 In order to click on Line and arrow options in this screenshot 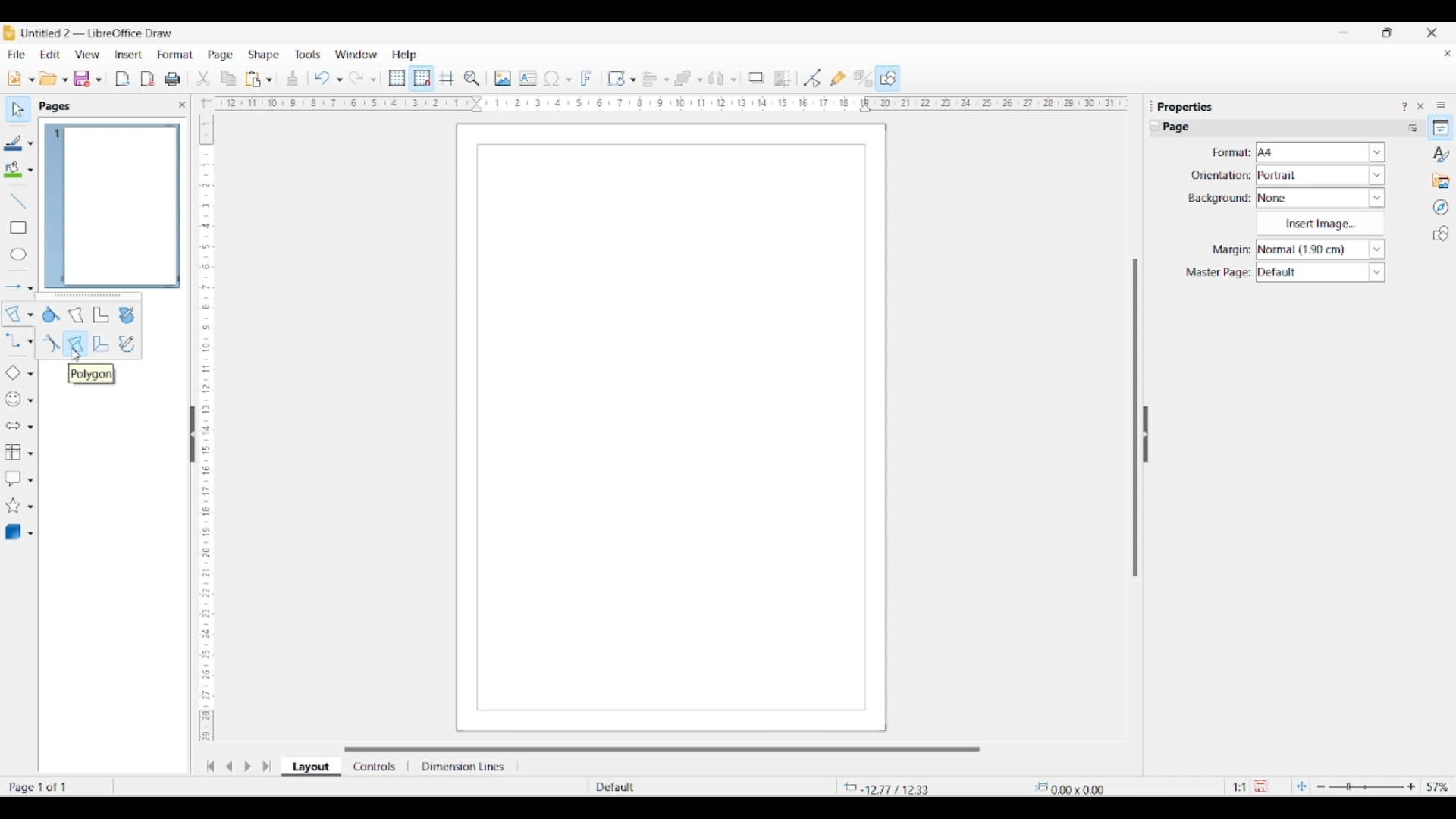, I will do `click(30, 288)`.